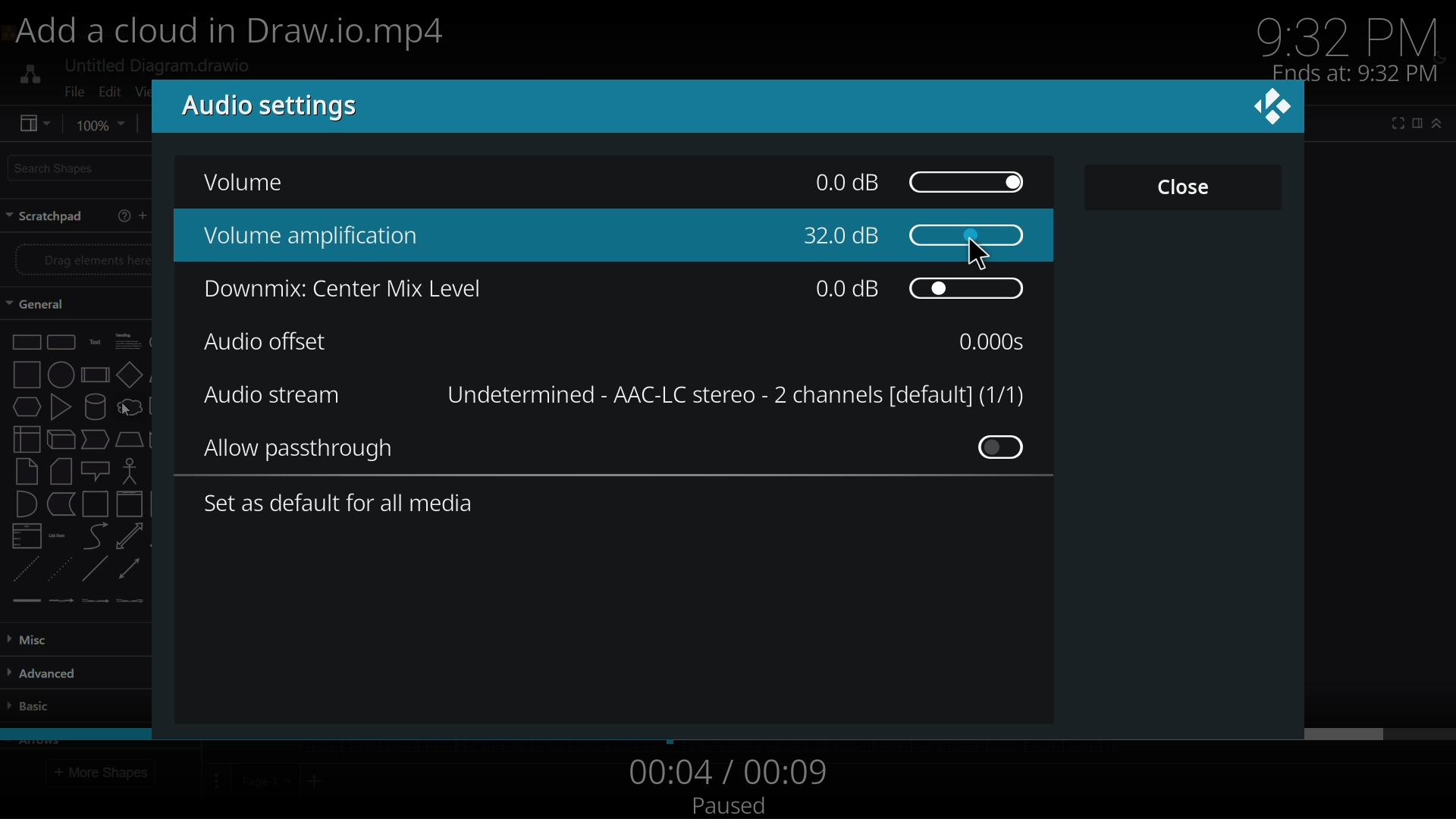 The image size is (1456, 819). I want to click on close, so click(1184, 185).